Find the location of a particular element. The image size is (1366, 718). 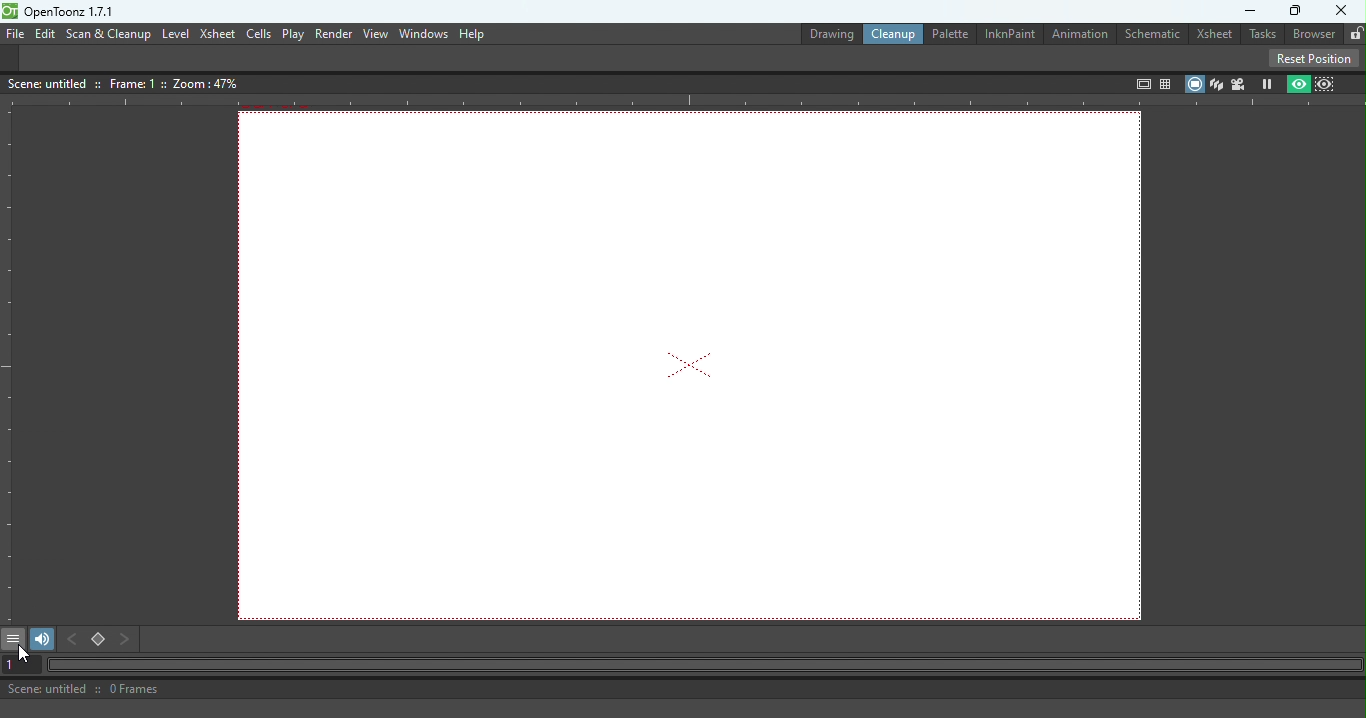

Schematic is located at coordinates (1155, 32).